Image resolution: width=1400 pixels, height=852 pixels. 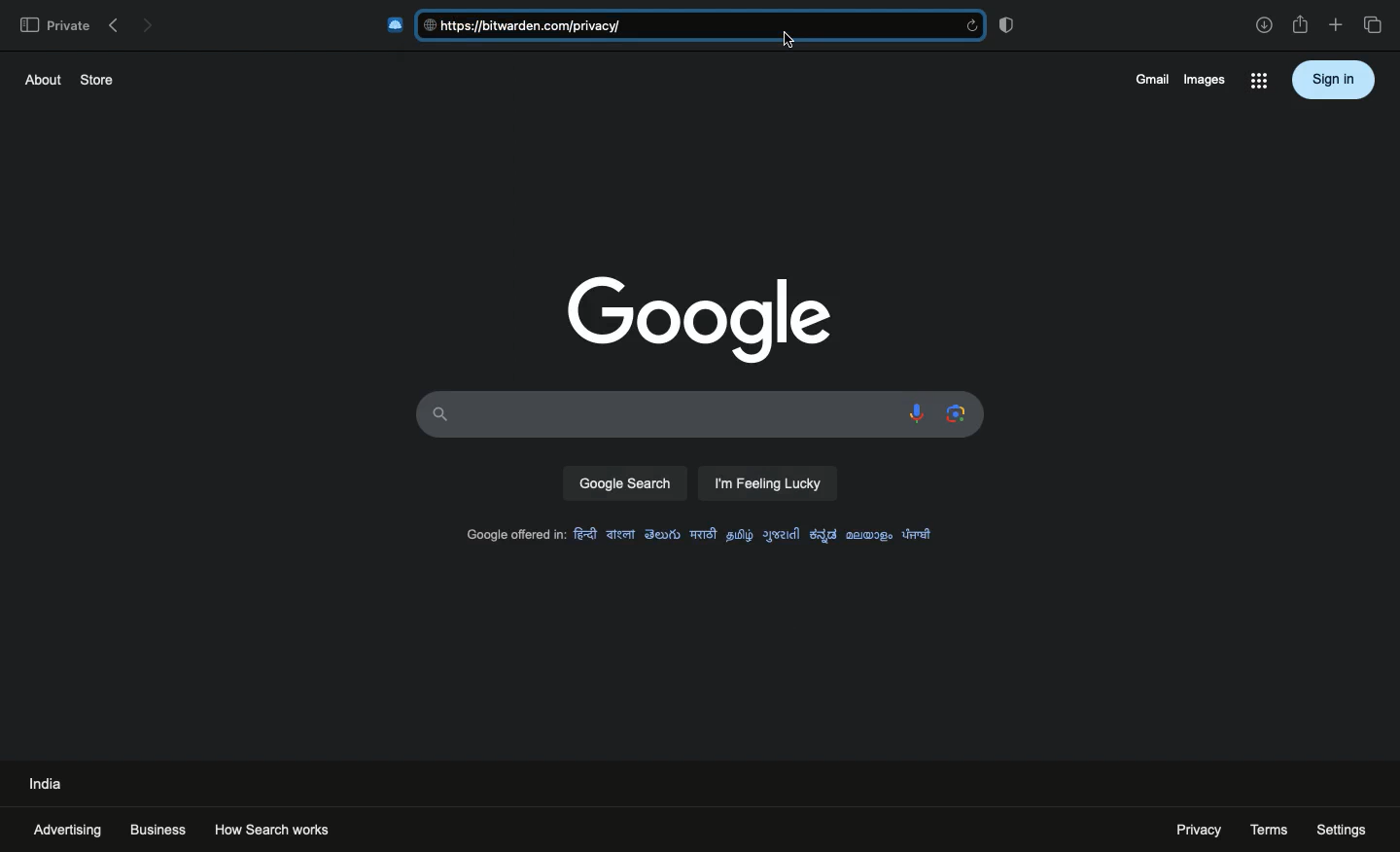 I want to click on private, so click(x=53, y=24).